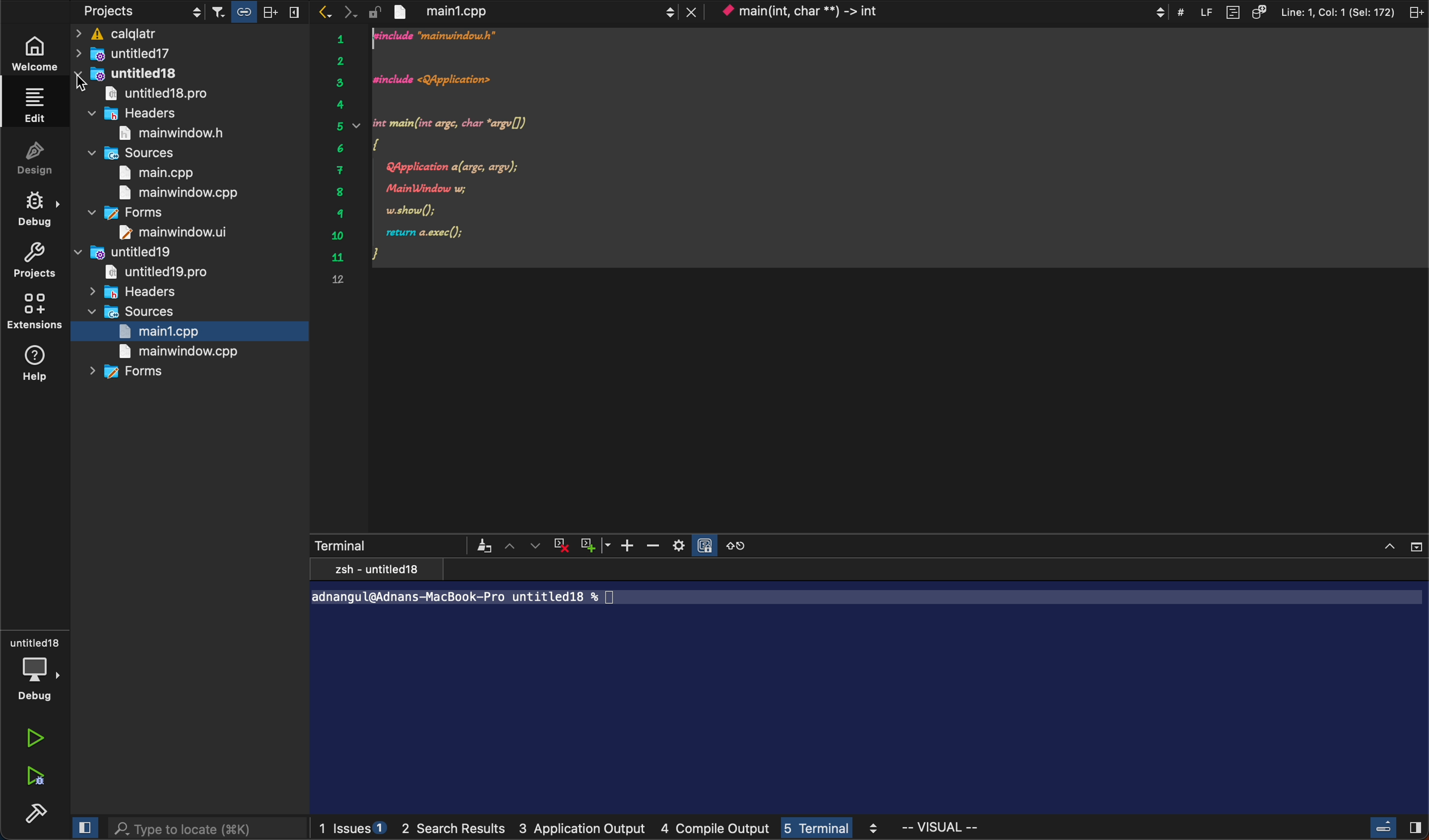 The width and height of the screenshot is (1429, 840). Describe the element at coordinates (372, 572) in the screenshot. I see `zsh - untitled18` at that location.